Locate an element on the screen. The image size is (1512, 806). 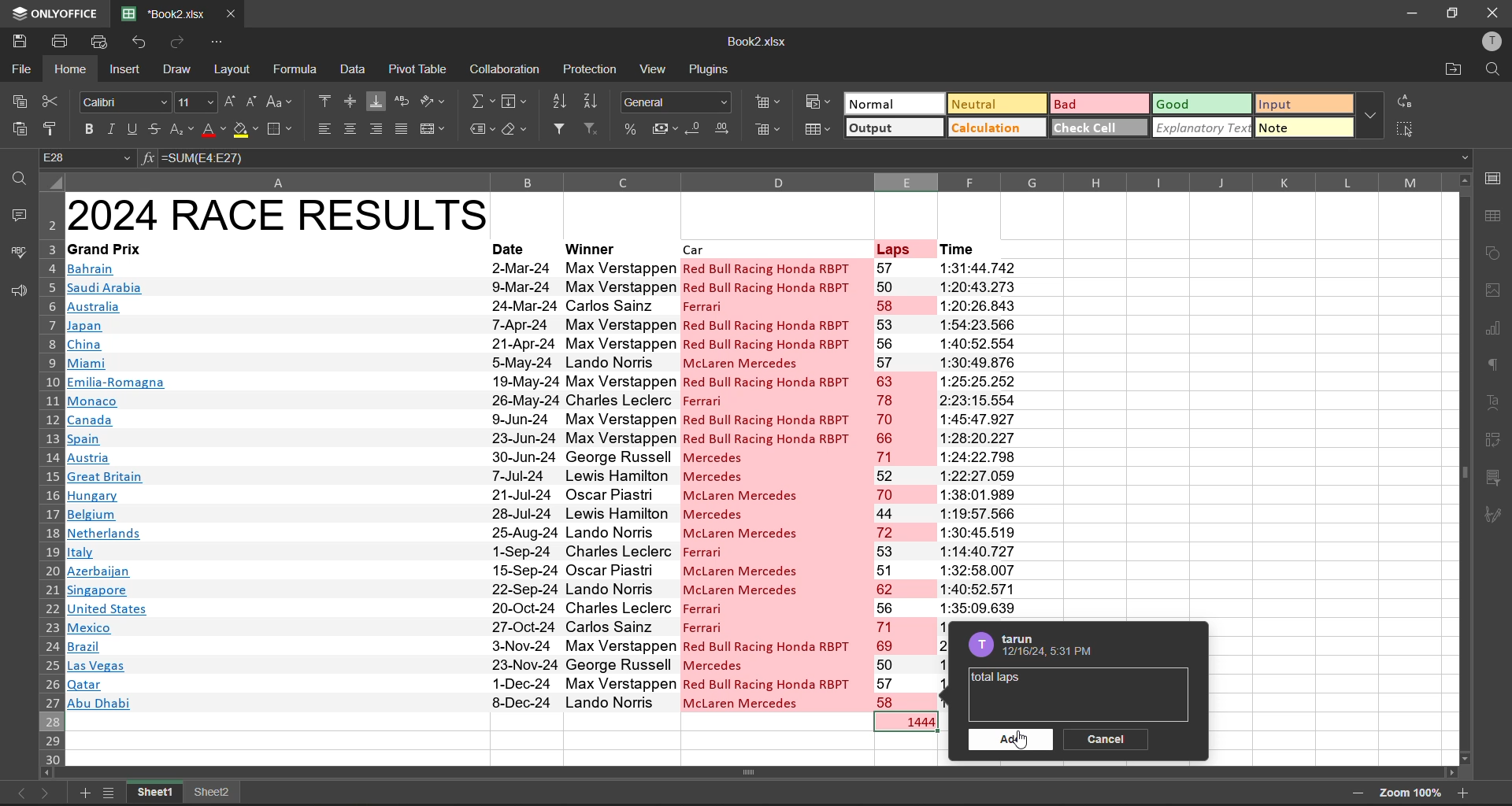
laps is located at coordinates (897, 248).